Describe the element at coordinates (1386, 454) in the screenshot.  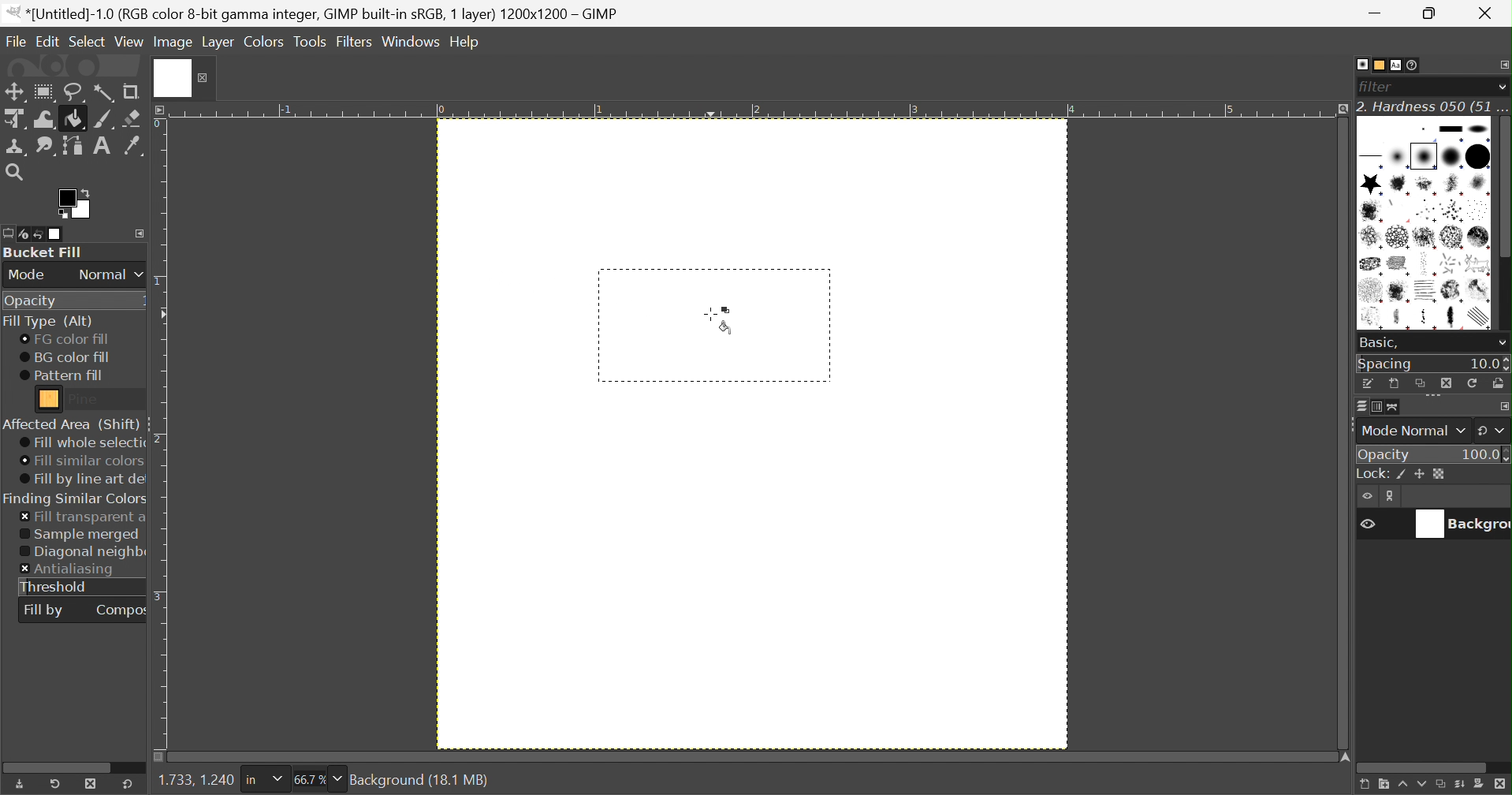
I see `Opacity` at that location.